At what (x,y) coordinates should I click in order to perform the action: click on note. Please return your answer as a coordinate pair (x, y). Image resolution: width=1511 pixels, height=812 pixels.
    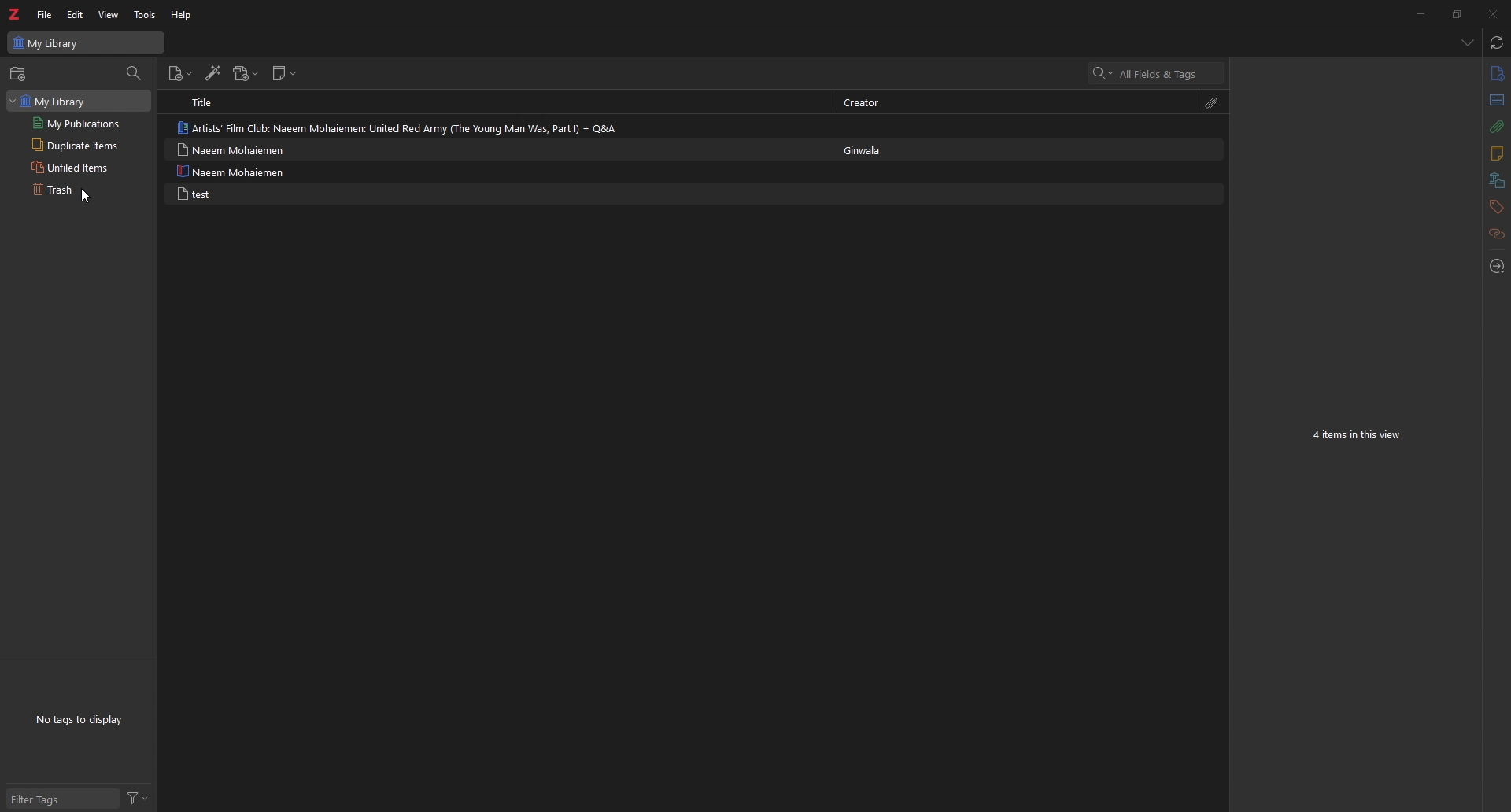
    Looking at the image, I should click on (238, 172).